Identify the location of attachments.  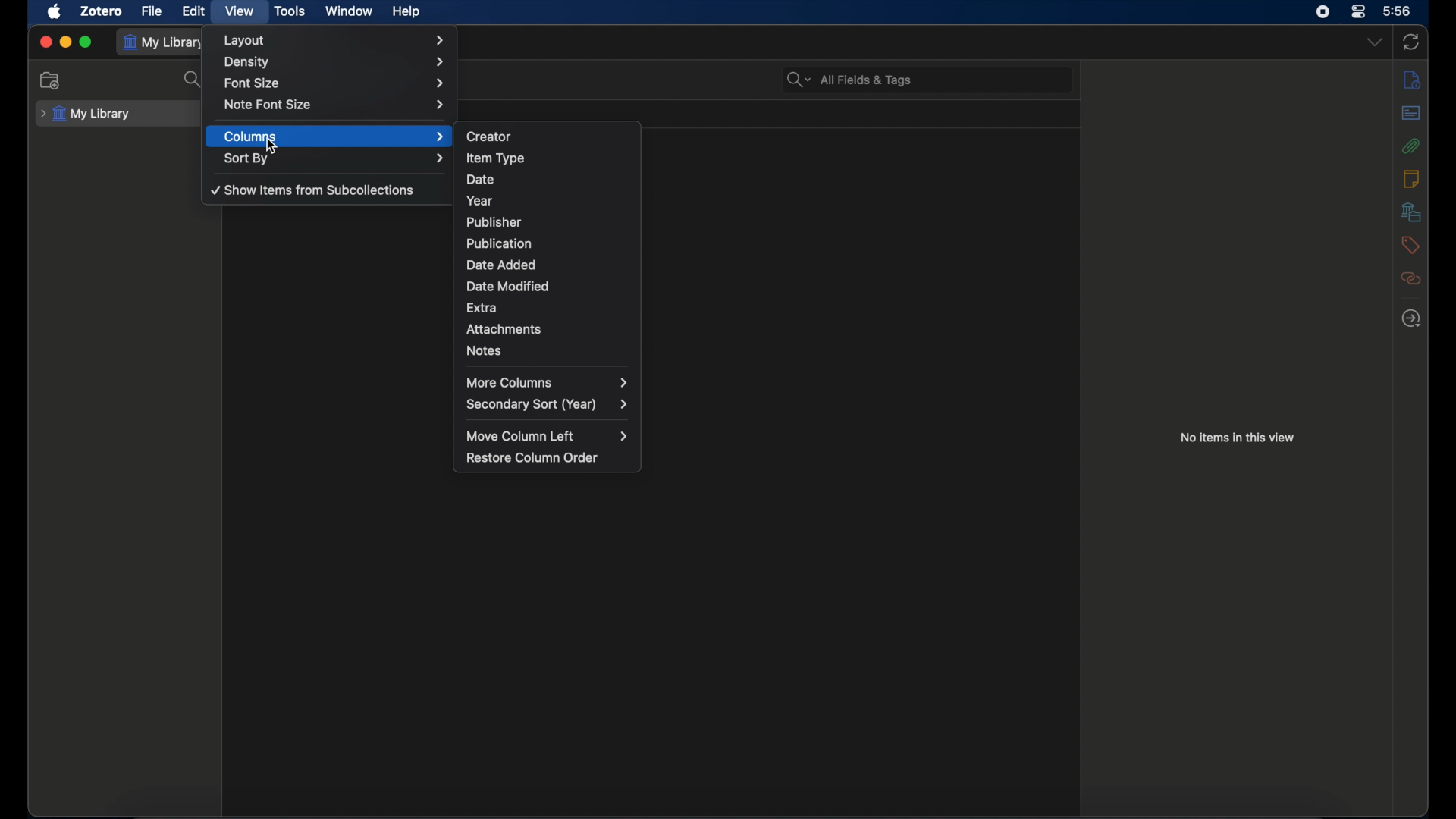
(1411, 146).